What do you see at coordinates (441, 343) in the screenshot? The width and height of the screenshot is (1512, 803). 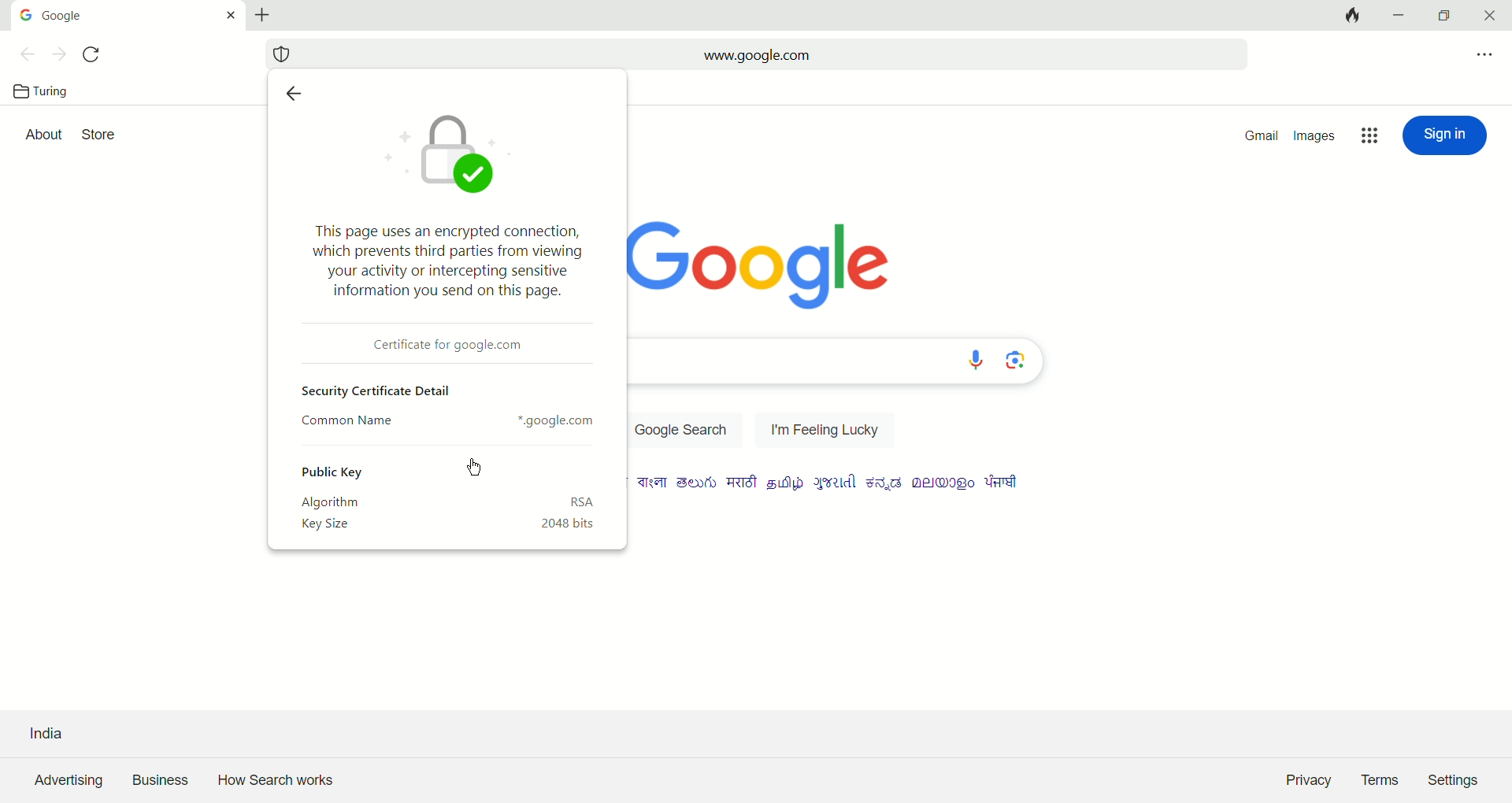 I see `Certificate dor google.com` at bounding box center [441, 343].